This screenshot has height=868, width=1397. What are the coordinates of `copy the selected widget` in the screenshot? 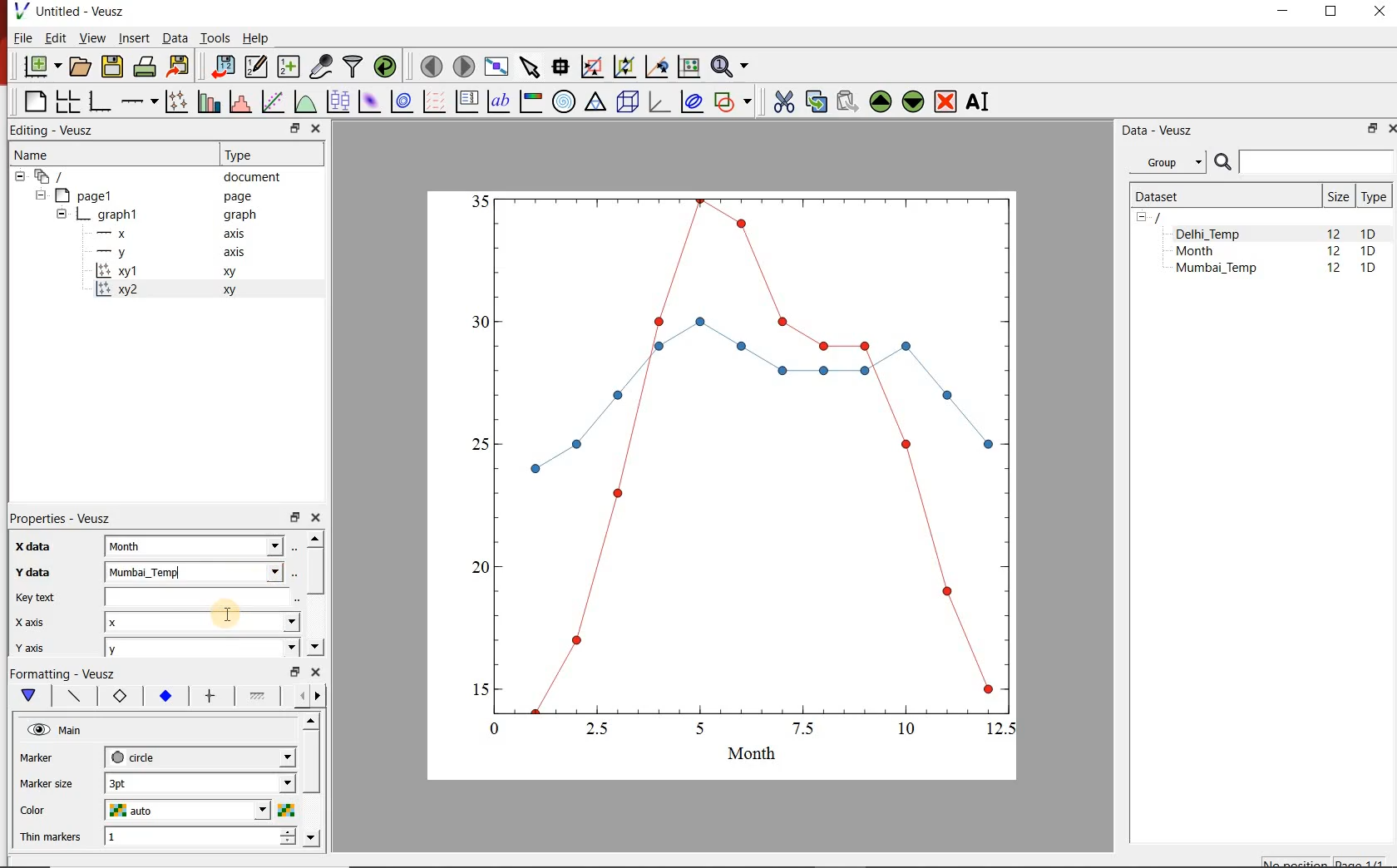 It's located at (814, 101).